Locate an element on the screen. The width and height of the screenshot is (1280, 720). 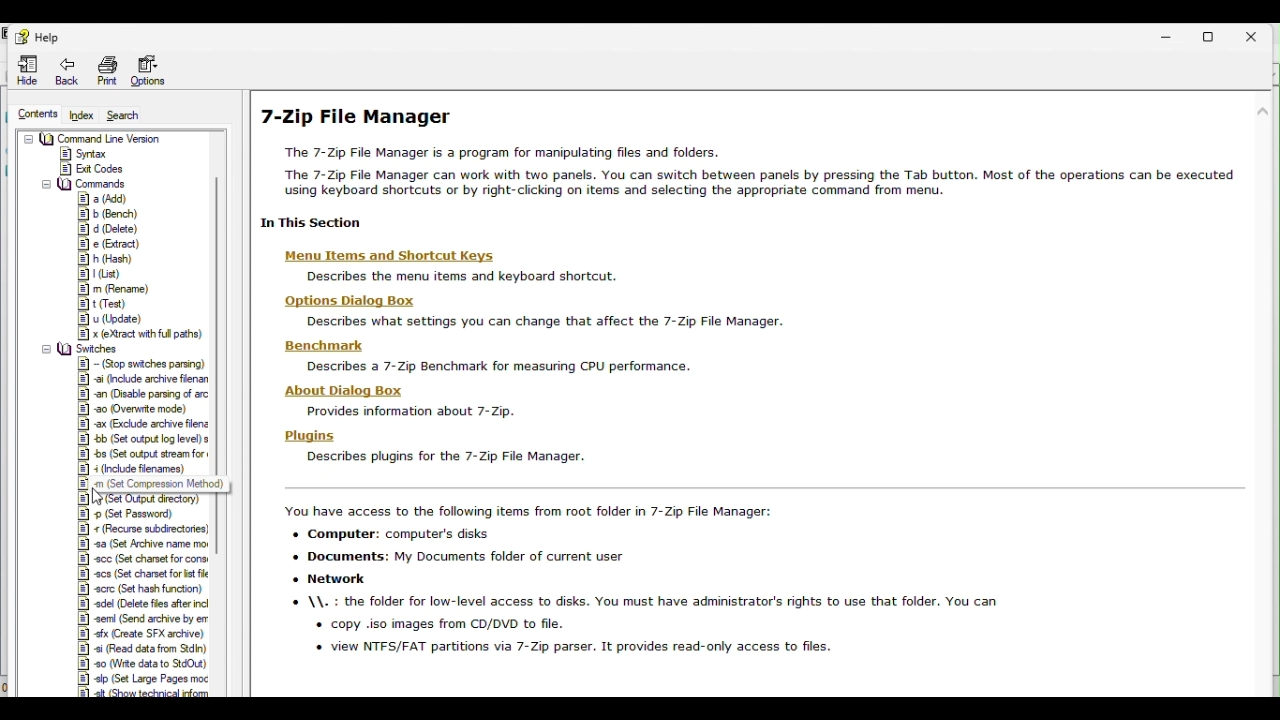
Minimise is located at coordinates (1169, 34).